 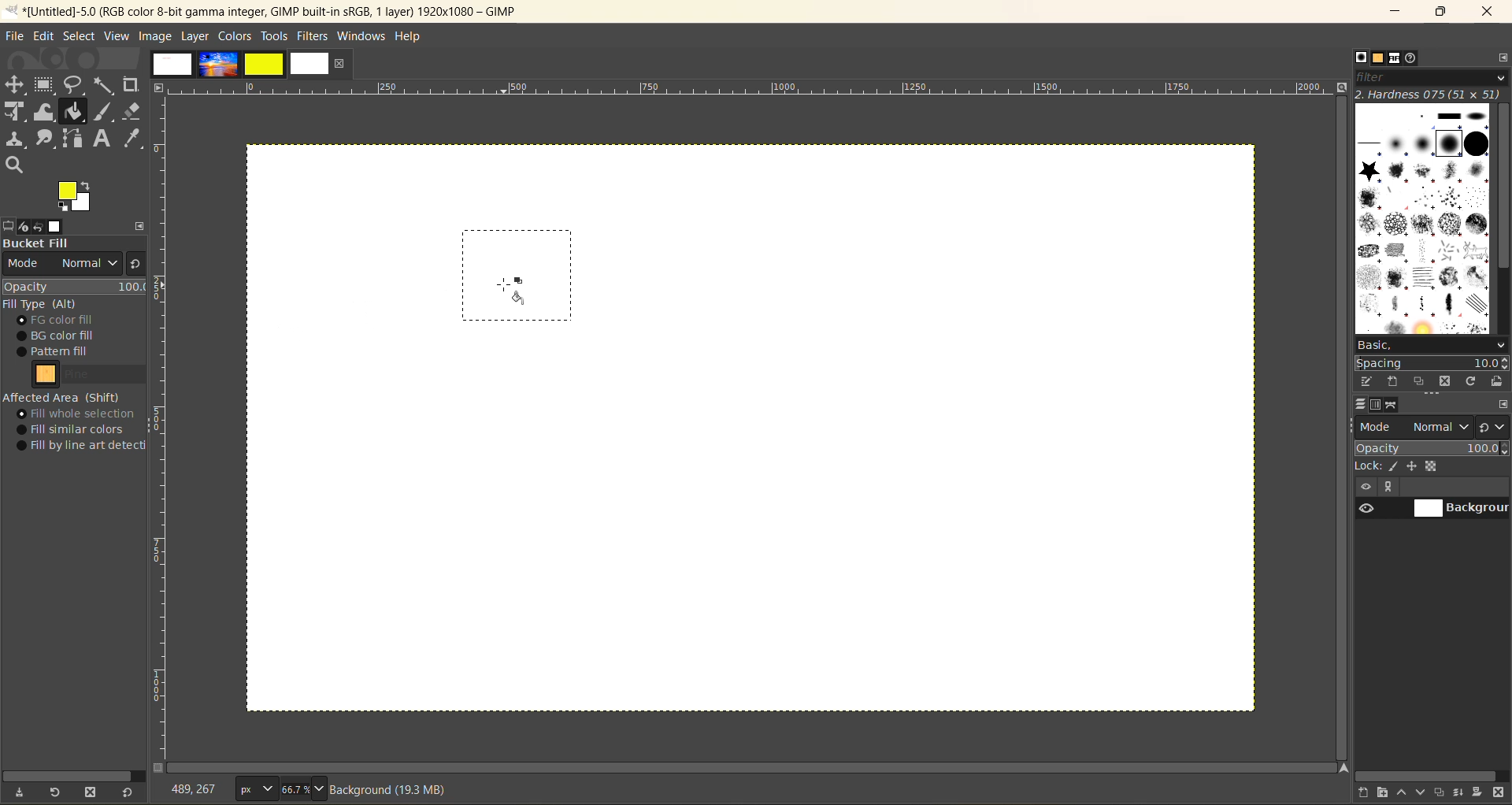 I want to click on file name and app name, so click(x=278, y=11).